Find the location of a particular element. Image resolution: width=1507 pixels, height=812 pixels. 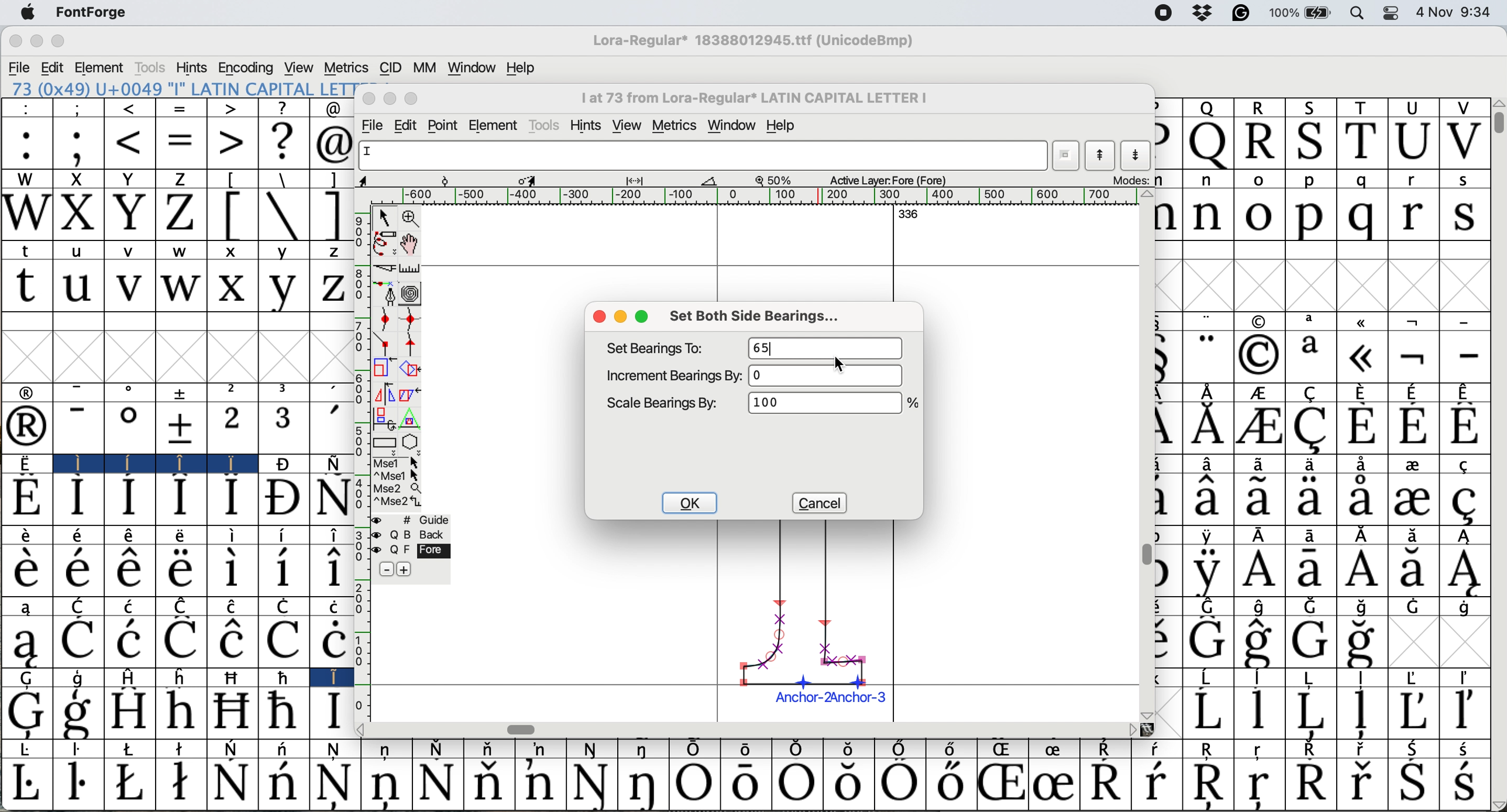

Symbol is located at coordinates (78, 783).